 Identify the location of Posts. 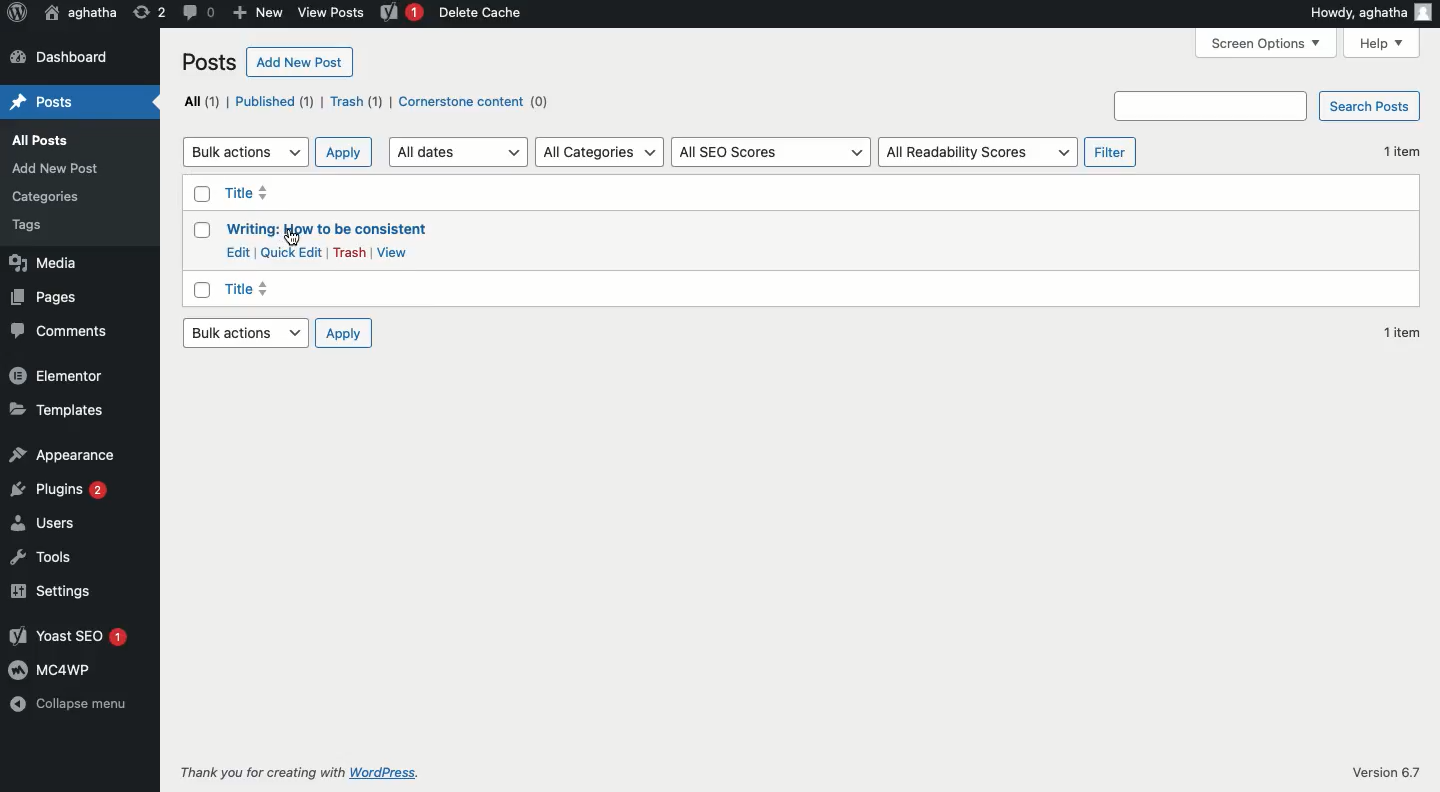
(206, 59).